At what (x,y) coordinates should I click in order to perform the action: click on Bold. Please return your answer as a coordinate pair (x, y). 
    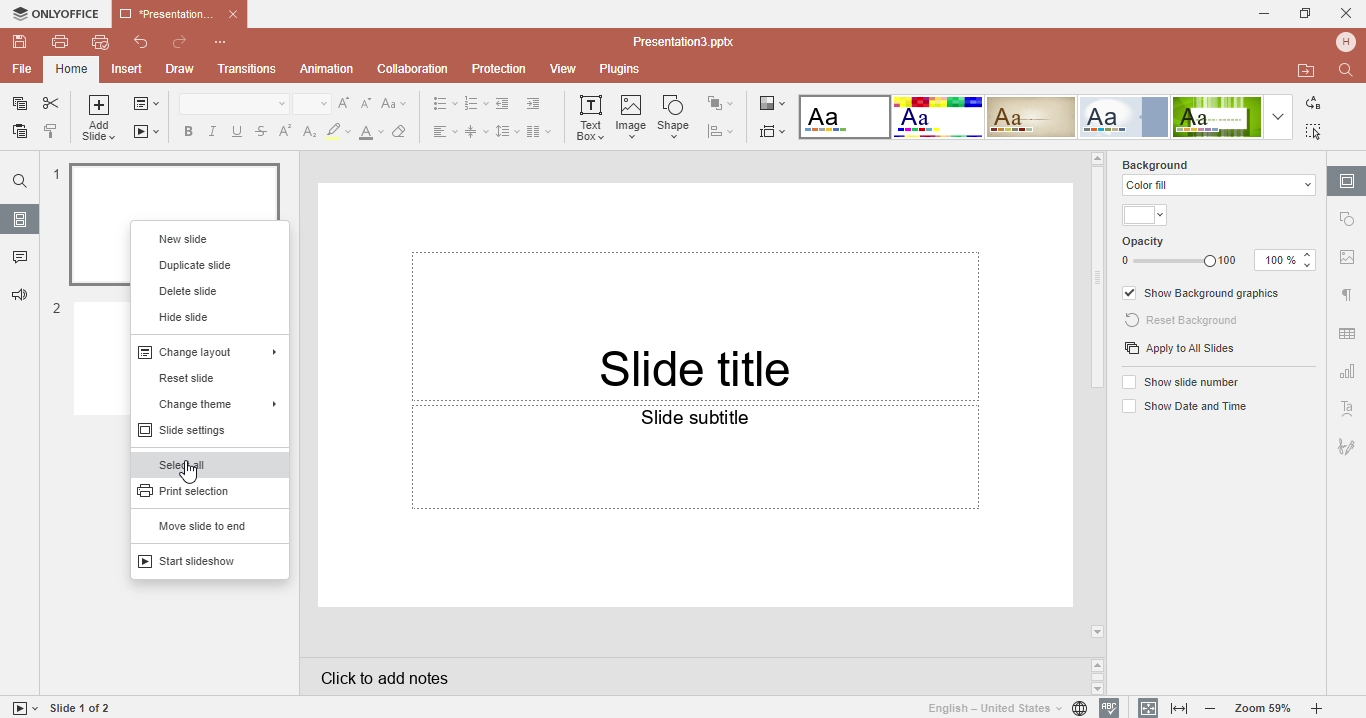
    Looking at the image, I should click on (185, 129).